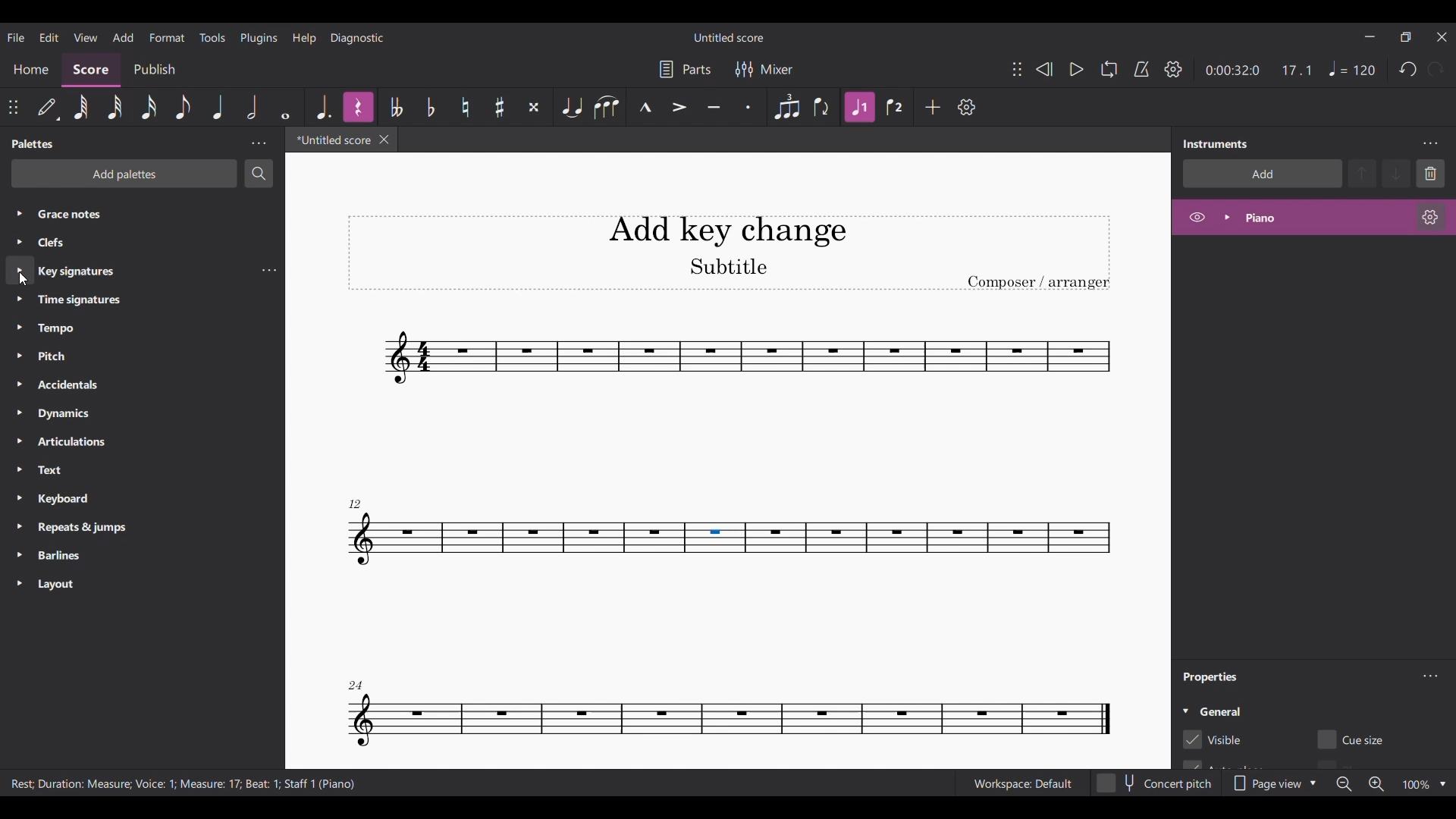  Describe the element at coordinates (219, 106) in the screenshot. I see `Quarter note` at that location.